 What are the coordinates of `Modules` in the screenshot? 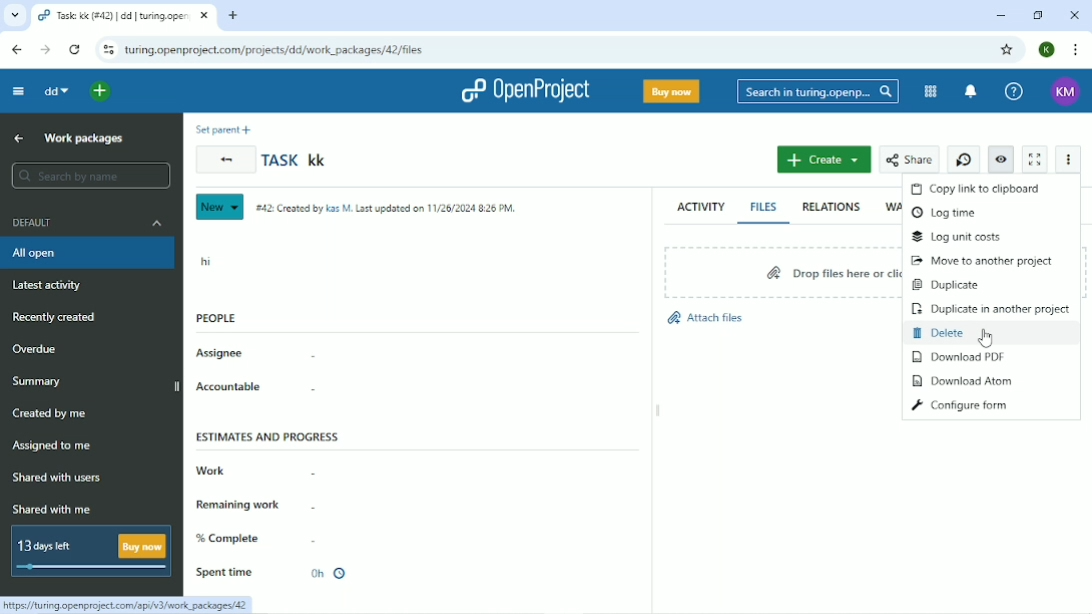 It's located at (931, 92).